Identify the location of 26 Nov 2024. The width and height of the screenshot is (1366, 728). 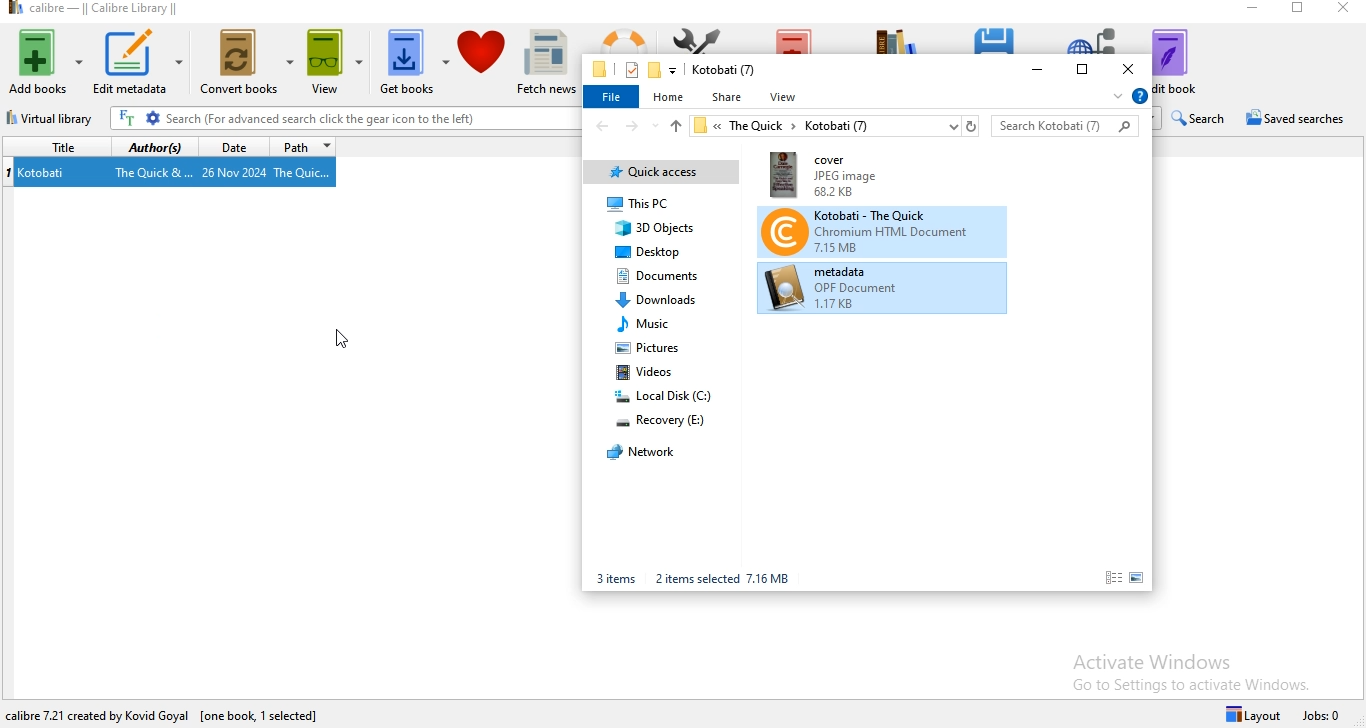
(235, 174).